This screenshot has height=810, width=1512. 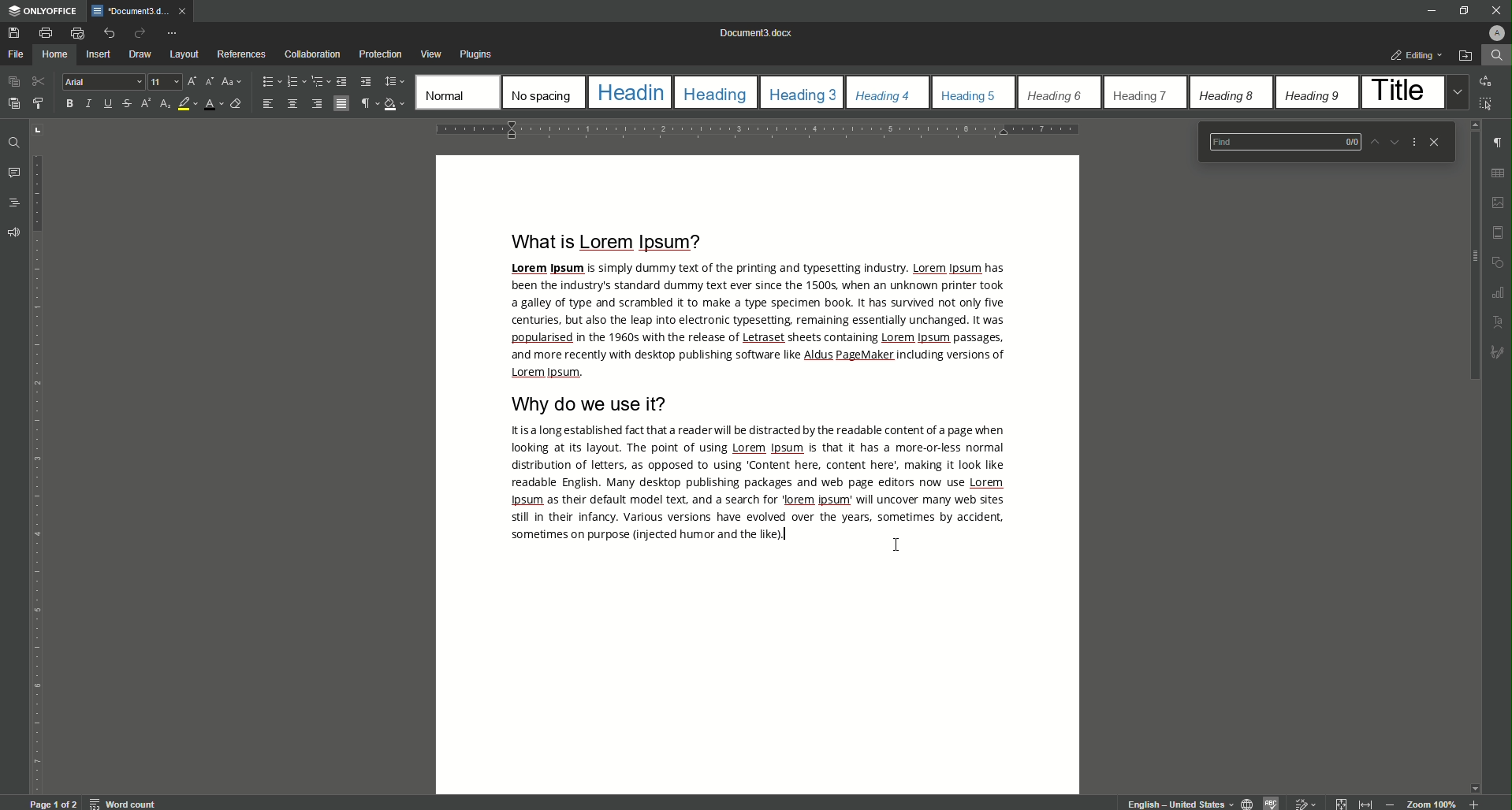 What do you see at coordinates (121, 804) in the screenshot?
I see `word count` at bounding box center [121, 804].